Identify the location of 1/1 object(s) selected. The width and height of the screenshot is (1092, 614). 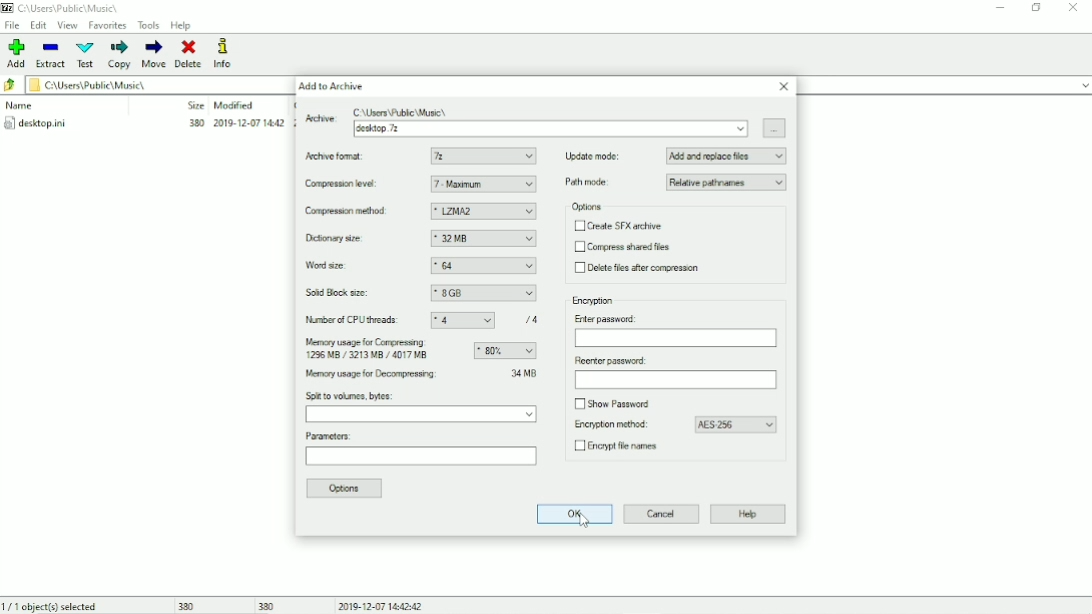
(53, 605).